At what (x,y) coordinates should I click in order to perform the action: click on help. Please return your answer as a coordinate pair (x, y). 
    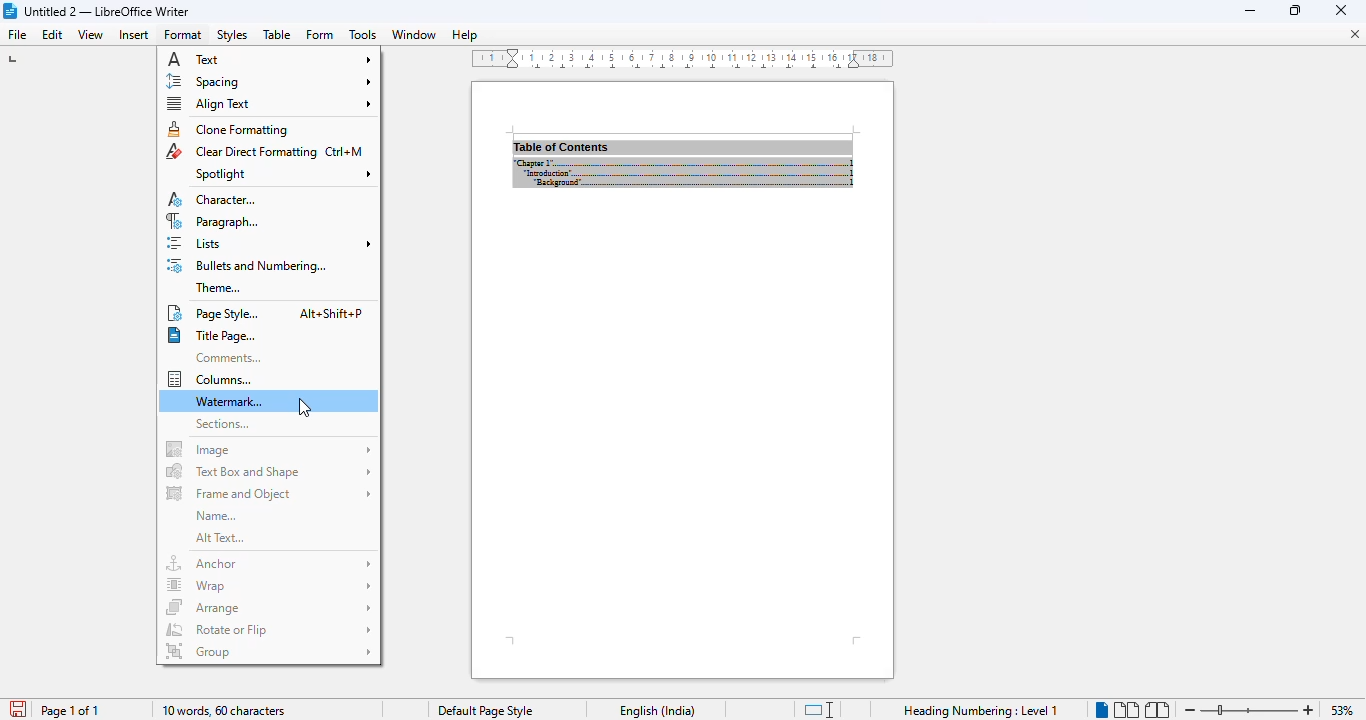
    Looking at the image, I should click on (465, 34).